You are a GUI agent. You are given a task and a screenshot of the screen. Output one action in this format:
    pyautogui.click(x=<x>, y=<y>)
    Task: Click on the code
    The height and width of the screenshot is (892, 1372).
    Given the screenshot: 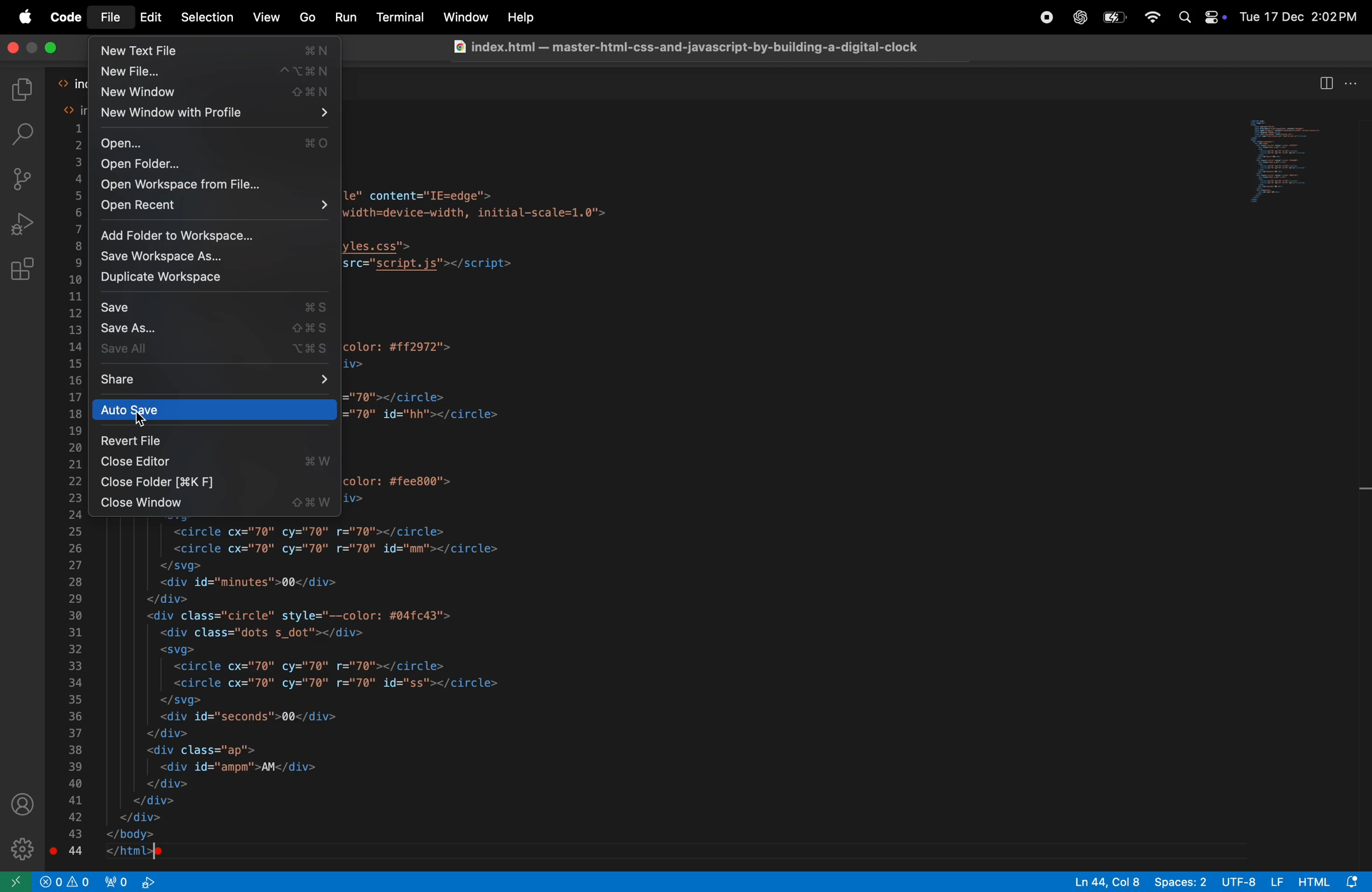 What is the action you would take?
    pyautogui.click(x=65, y=16)
    